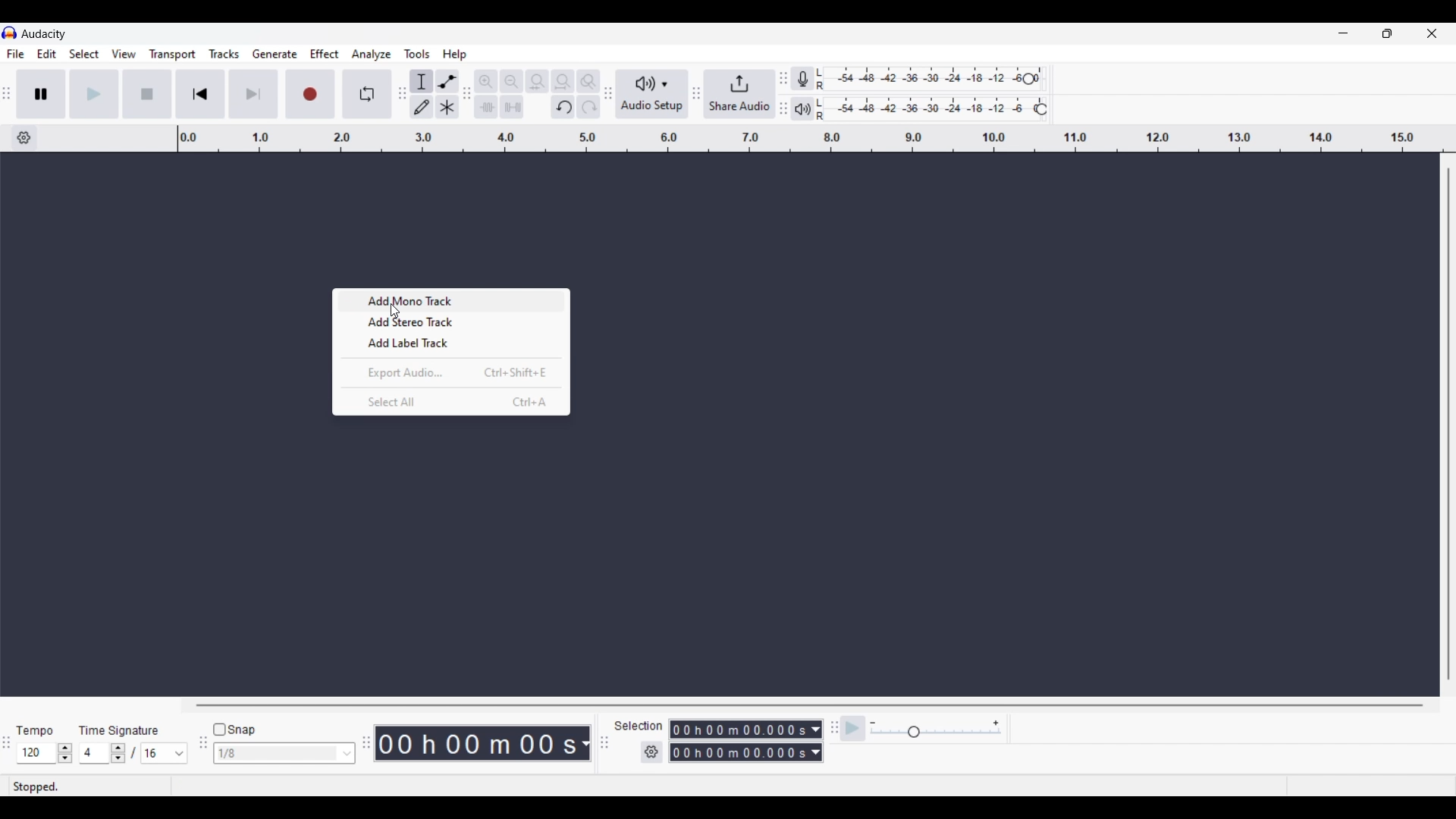 The height and width of the screenshot is (819, 1456). Describe the element at coordinates (275, 54) in the screenshot. I see `Generate menu` at that location.